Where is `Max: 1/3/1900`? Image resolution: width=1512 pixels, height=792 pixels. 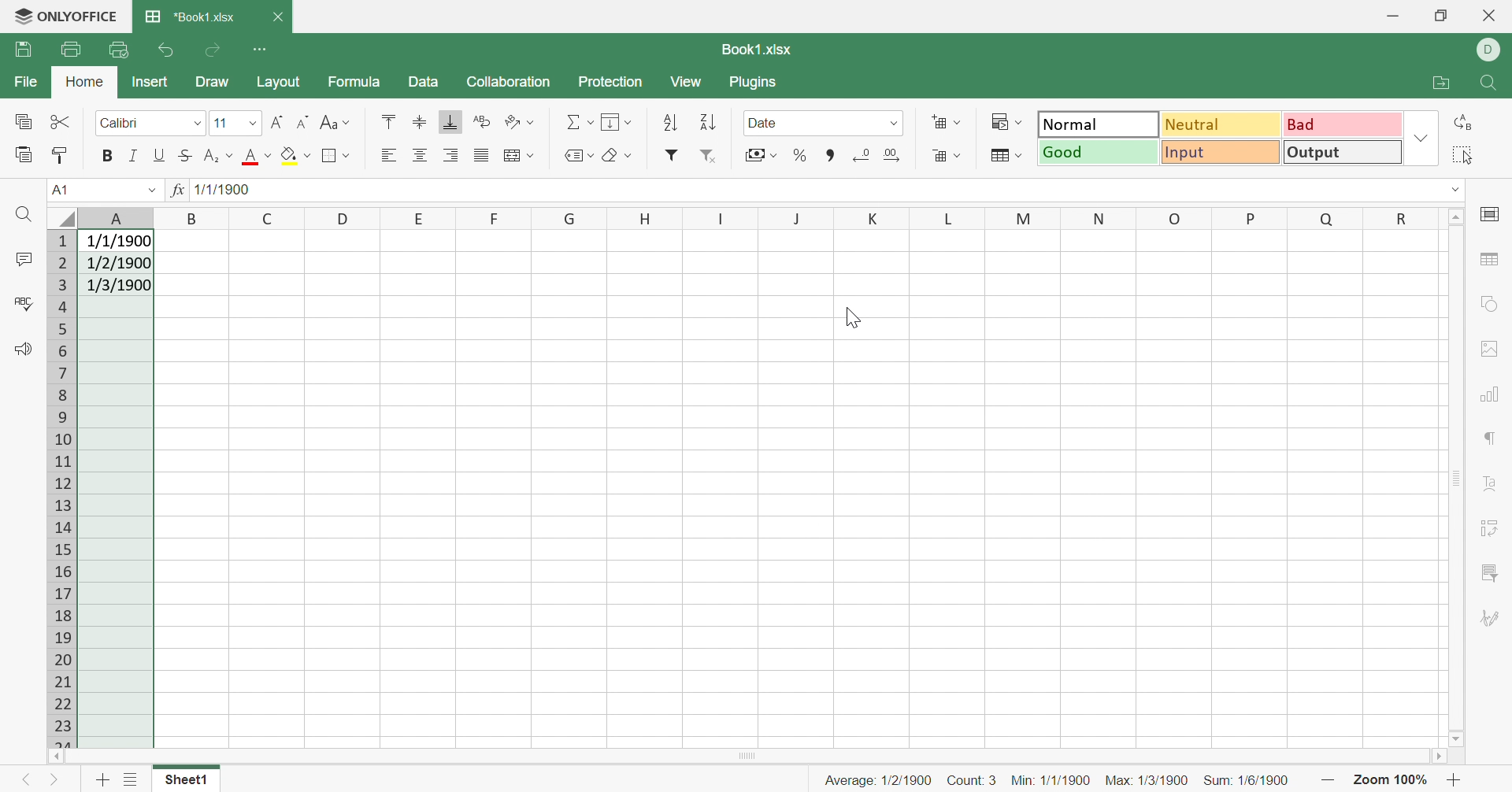 Max: 1/3/1900 is located at coordinates (1148, 781).